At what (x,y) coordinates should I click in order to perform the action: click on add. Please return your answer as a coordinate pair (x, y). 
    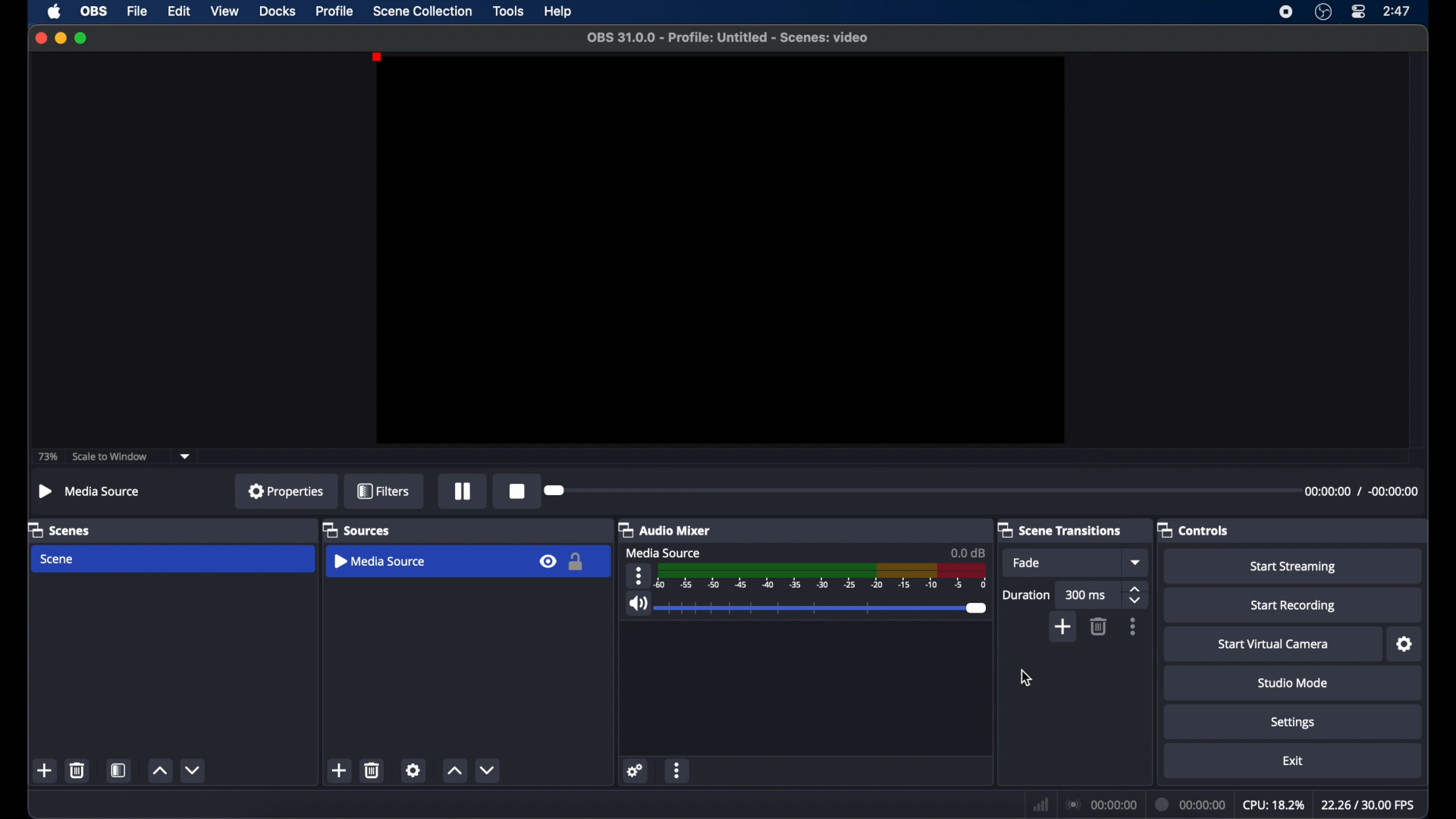
    Looking at the image, I should click on (338, 770).